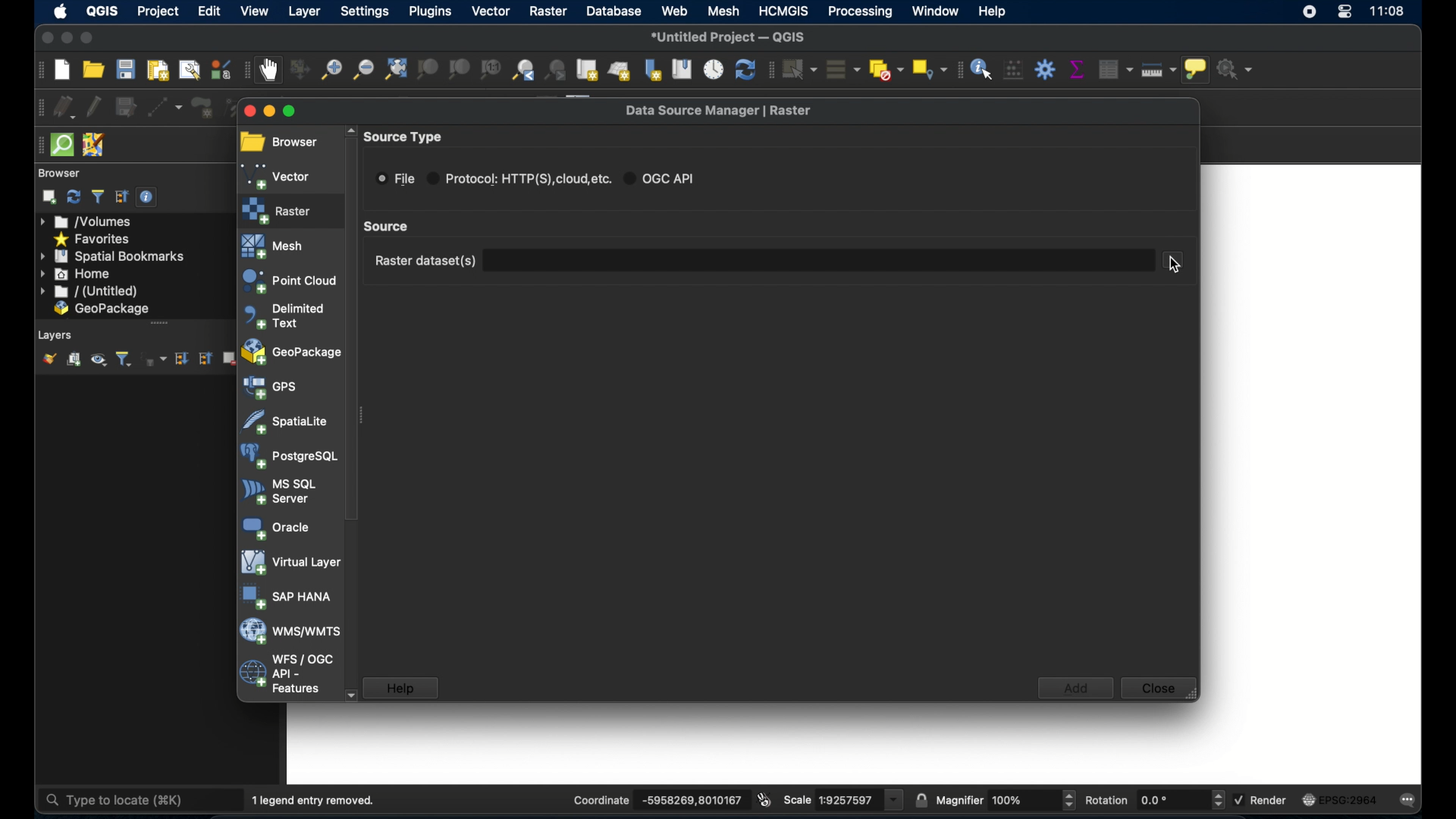 Image resolution: width=1456 pixels, height=819 pixels. Describe the element at coordinates (288, 281) in the screenshot. I see `point cloud` at that location.